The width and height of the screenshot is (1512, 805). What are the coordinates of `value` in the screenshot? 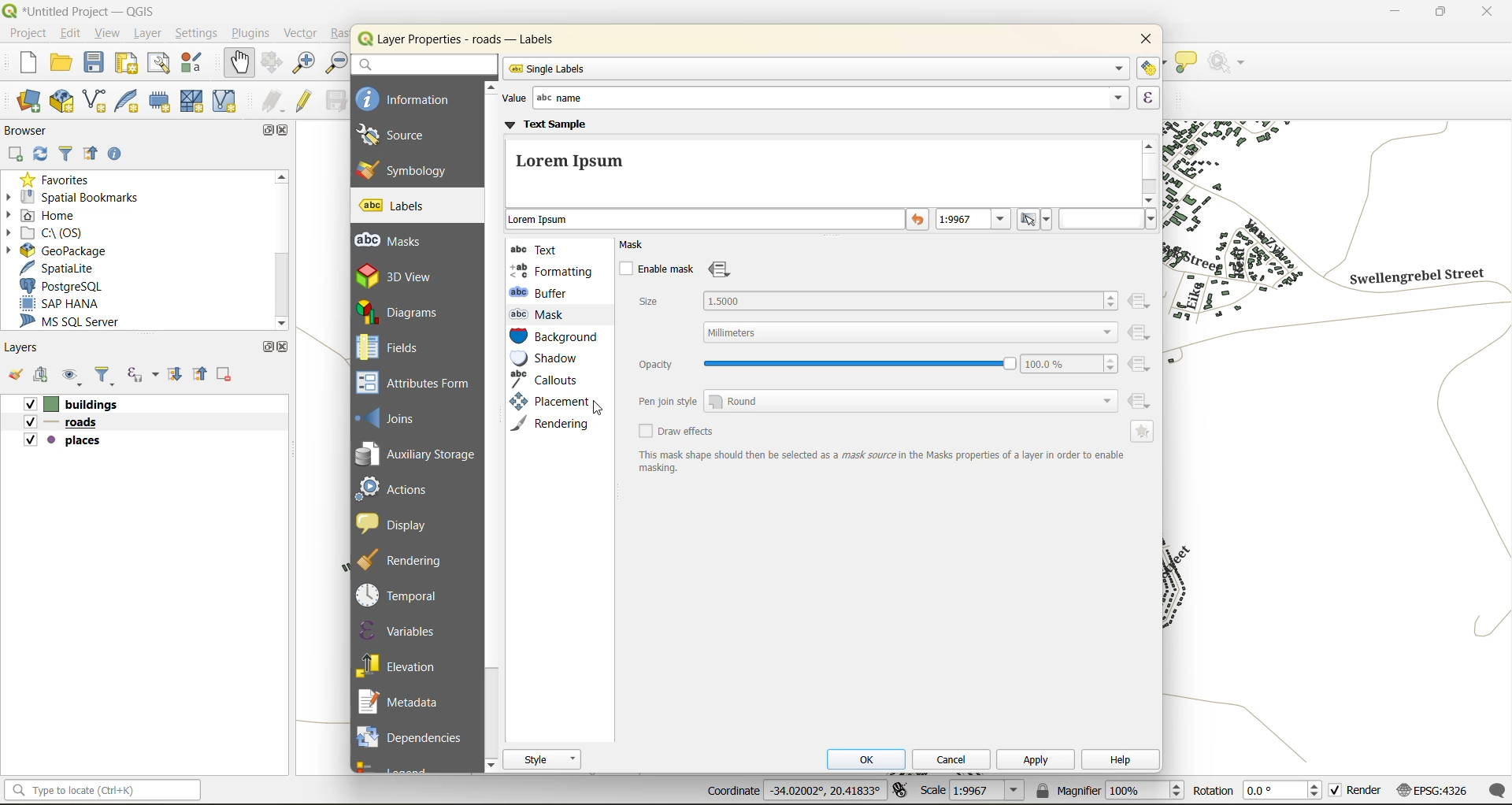 It's located at (812, 98).